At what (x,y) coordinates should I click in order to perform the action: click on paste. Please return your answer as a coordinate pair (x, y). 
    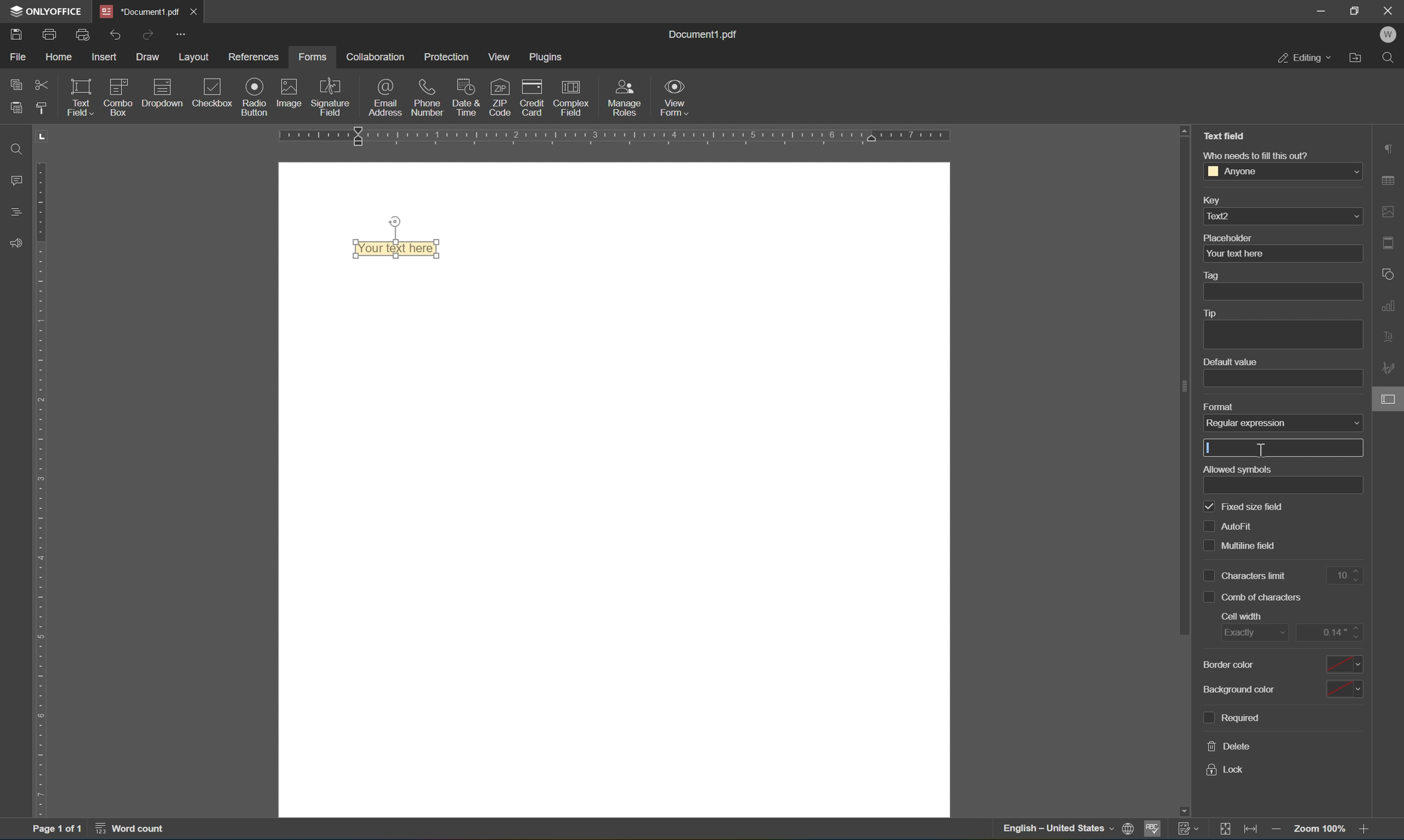
    Looking at the image, I should click on (19, 108).